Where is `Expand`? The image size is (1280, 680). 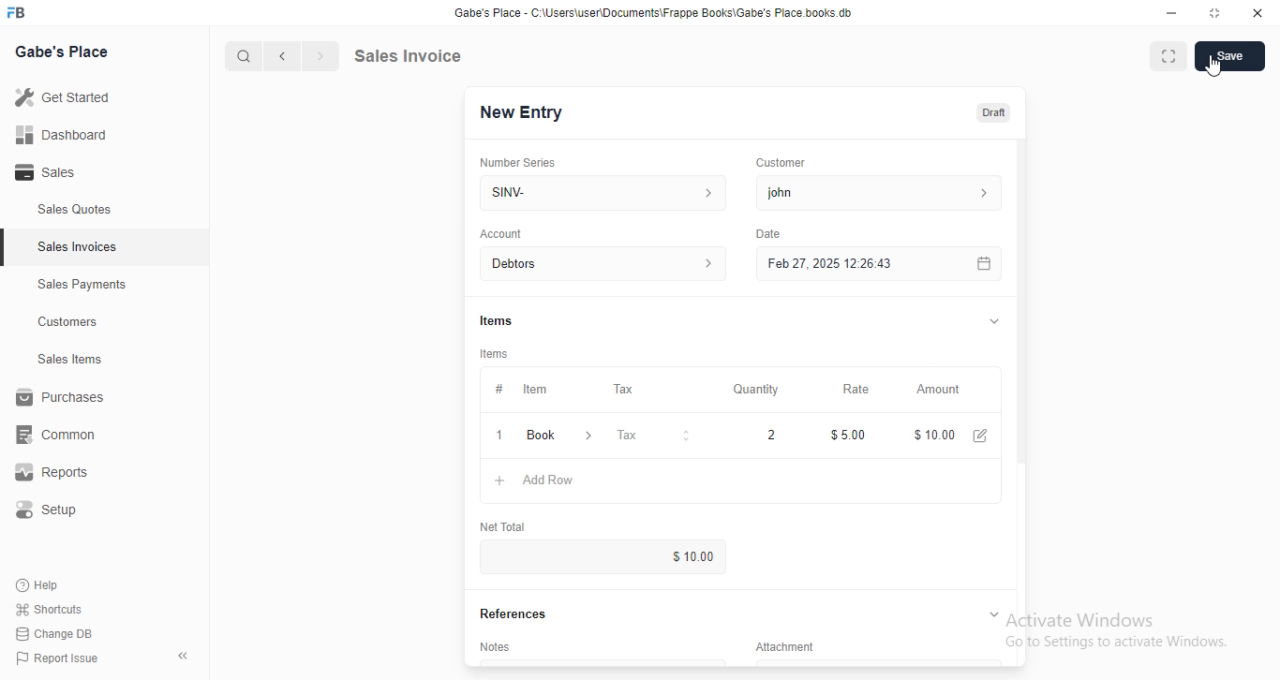 Expand is located at coordinates (989, 321).